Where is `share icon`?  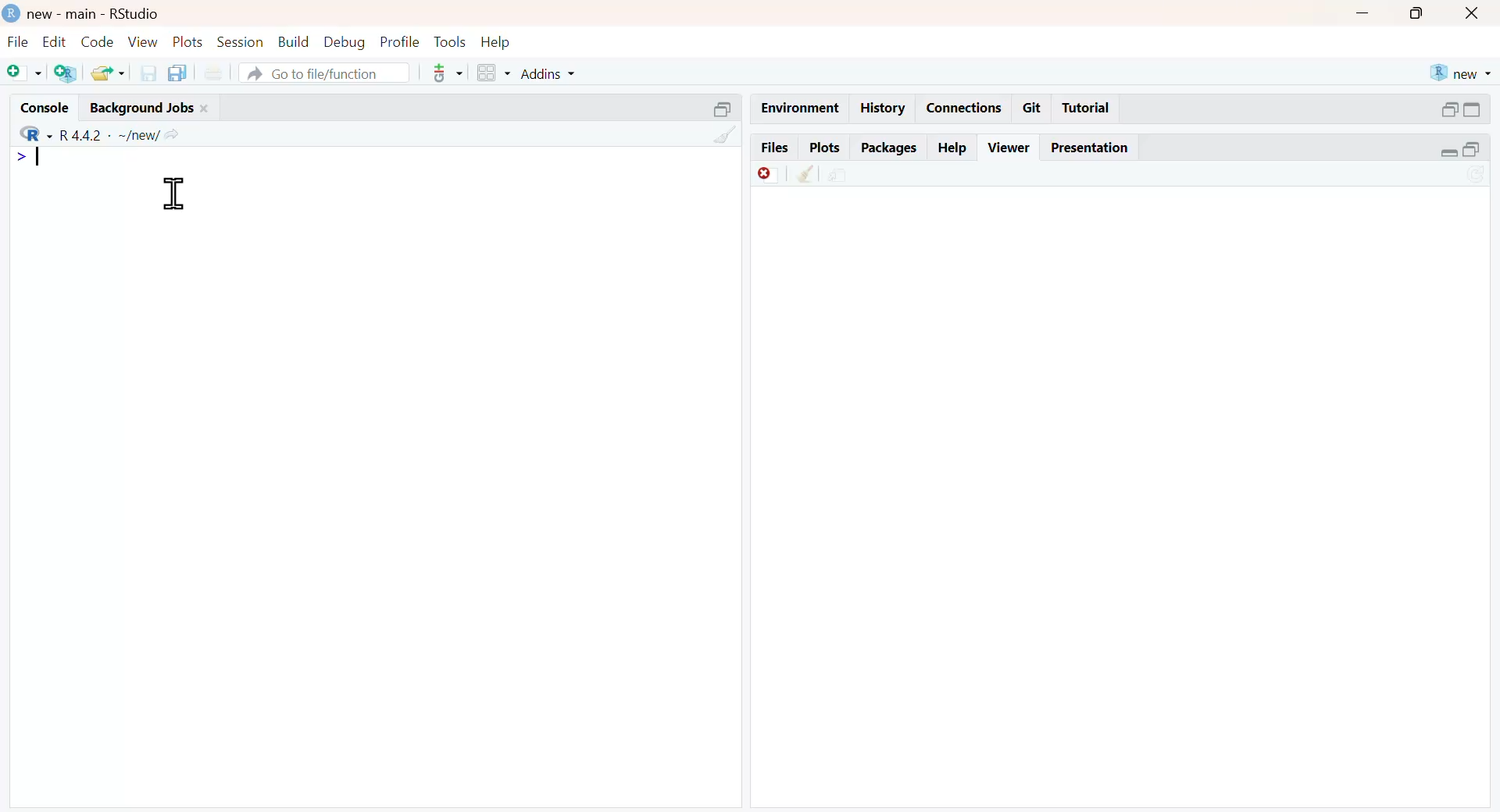
share icon is located at coordinates (171, 135).